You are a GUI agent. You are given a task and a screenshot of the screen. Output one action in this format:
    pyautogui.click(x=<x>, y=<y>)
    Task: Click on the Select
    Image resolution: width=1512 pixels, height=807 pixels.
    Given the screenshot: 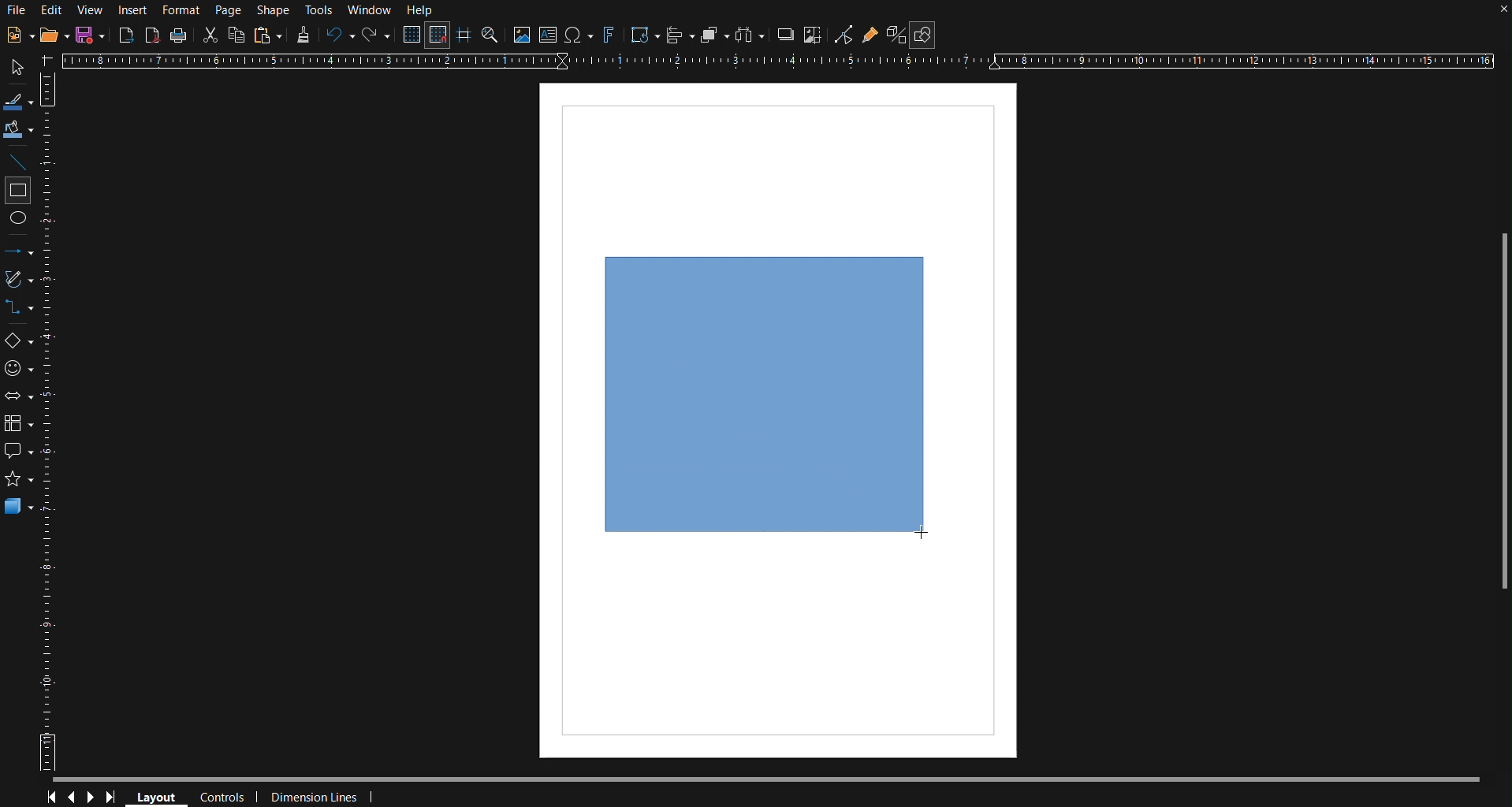 What is the action you would take?
    pyautogui.click(x=18, y=68)
    